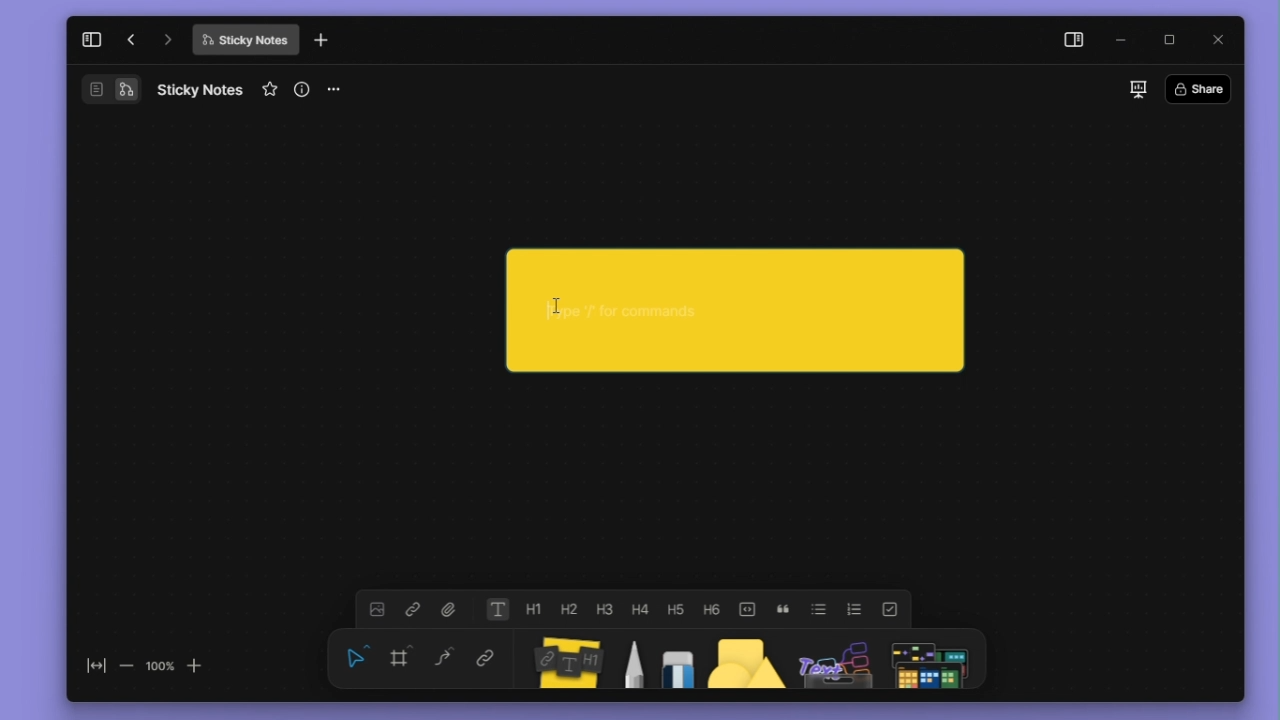 The height and width of the screenshot is (720, 1280). Describe the element at coordinates (537, 608) in the screenshot. I see `heading` at that location.